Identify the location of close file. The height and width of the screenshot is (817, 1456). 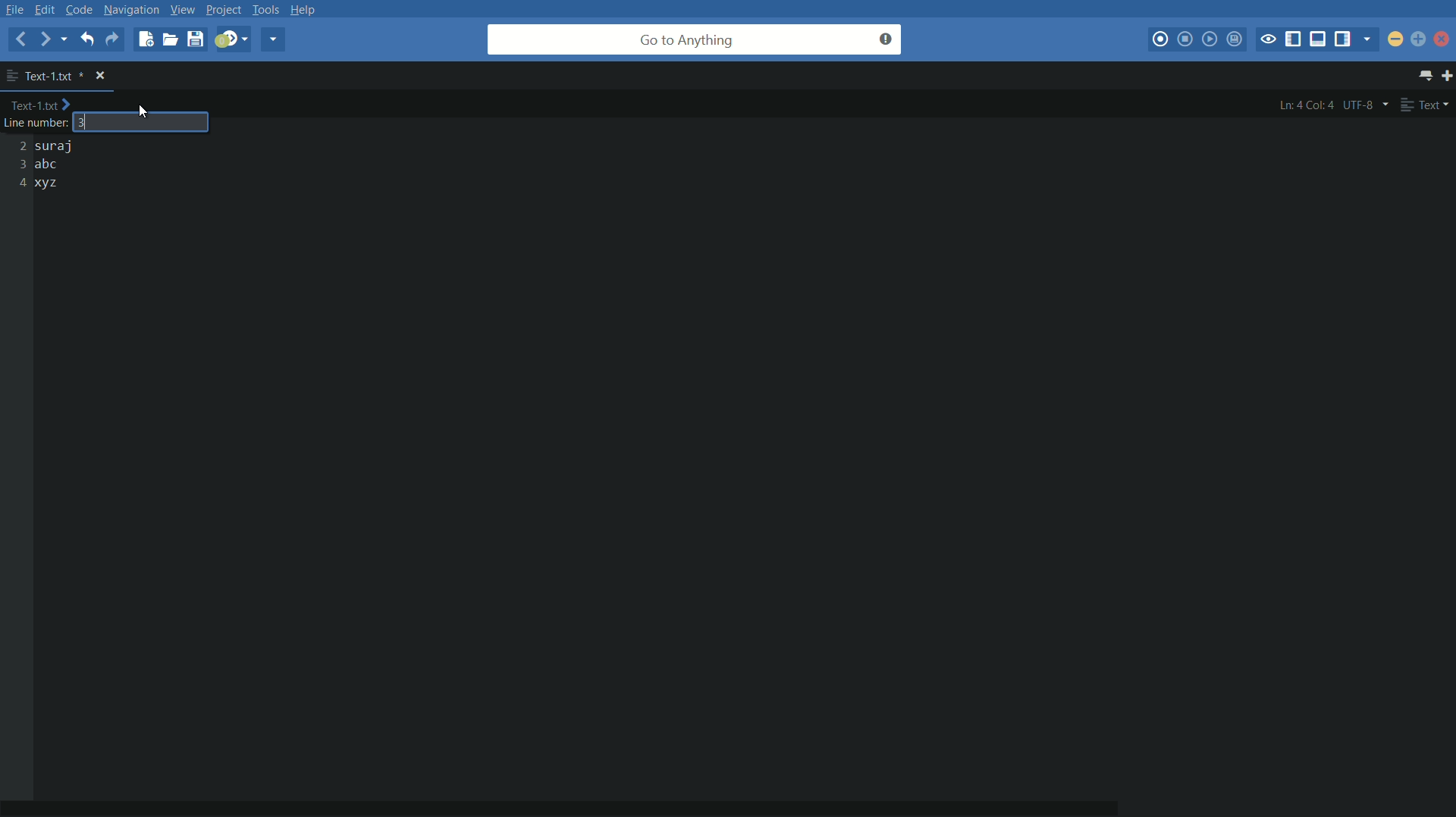
(102, 76).